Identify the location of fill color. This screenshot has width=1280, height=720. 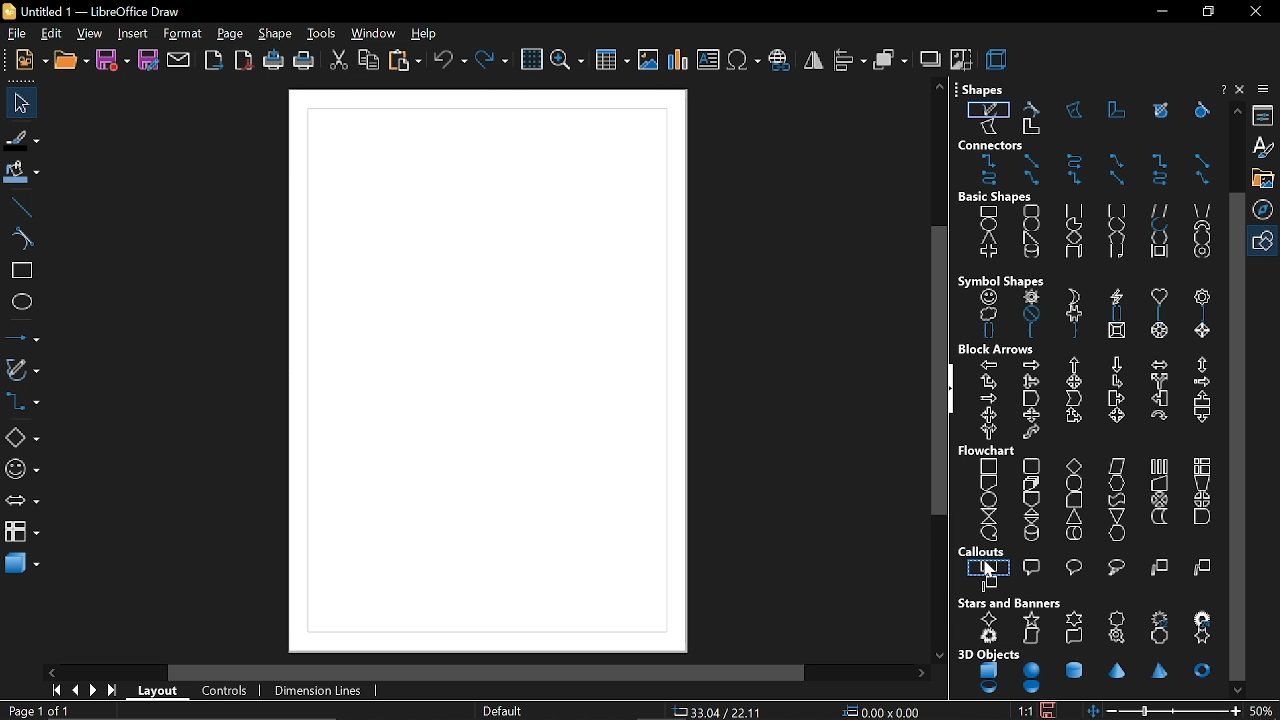
(22, 172).